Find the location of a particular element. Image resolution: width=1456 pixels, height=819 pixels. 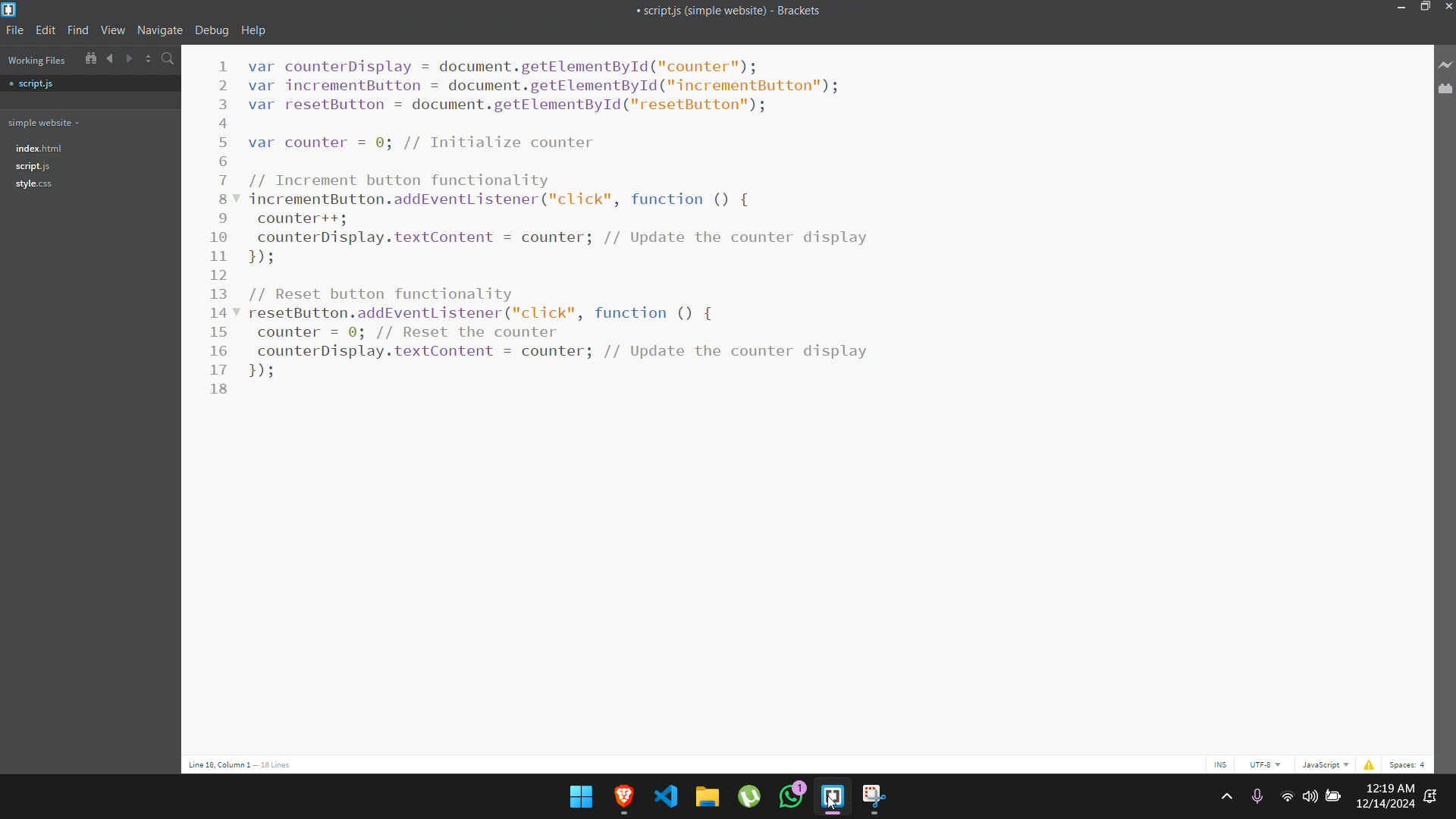

move forward is located at coordinates (130, 56).